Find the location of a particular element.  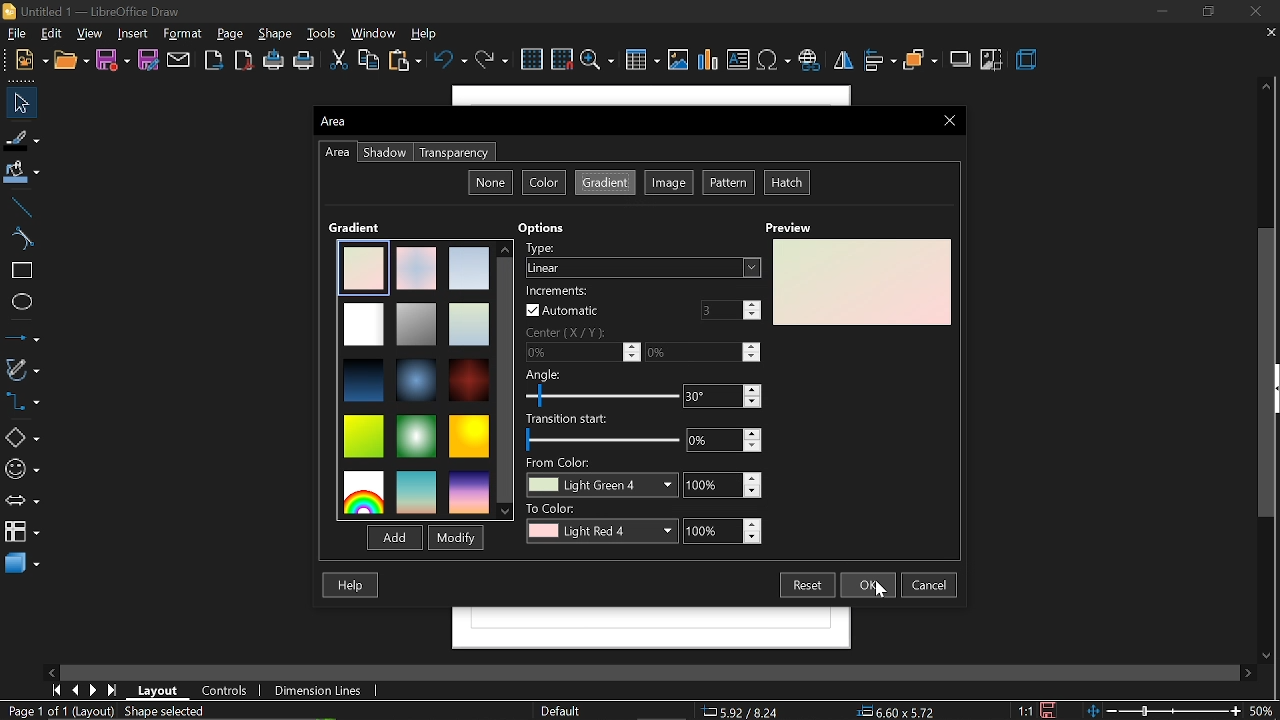

shape is located at coordinates (276, 34).